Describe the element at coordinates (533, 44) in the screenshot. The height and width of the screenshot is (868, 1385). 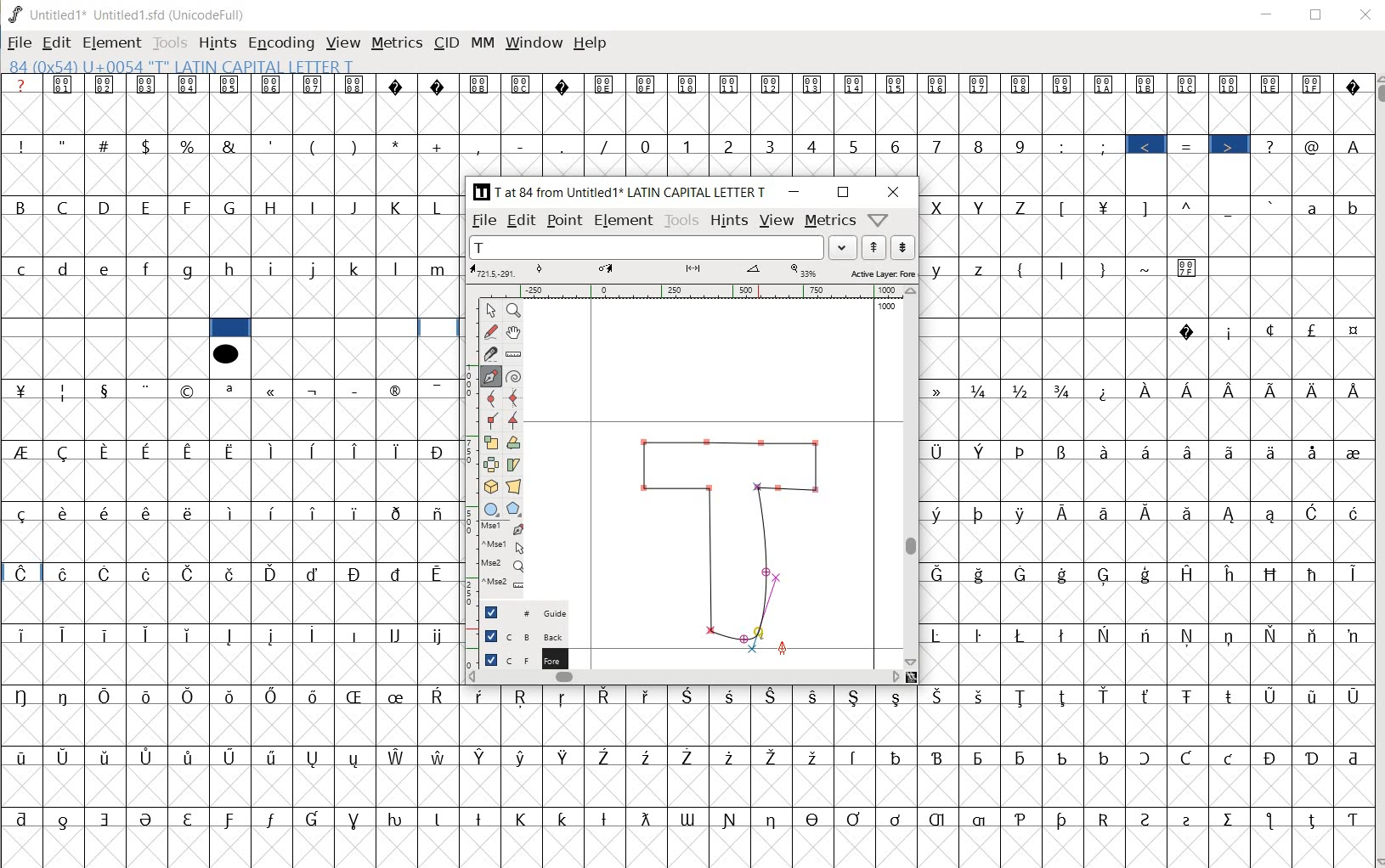
I see `window` at that location.